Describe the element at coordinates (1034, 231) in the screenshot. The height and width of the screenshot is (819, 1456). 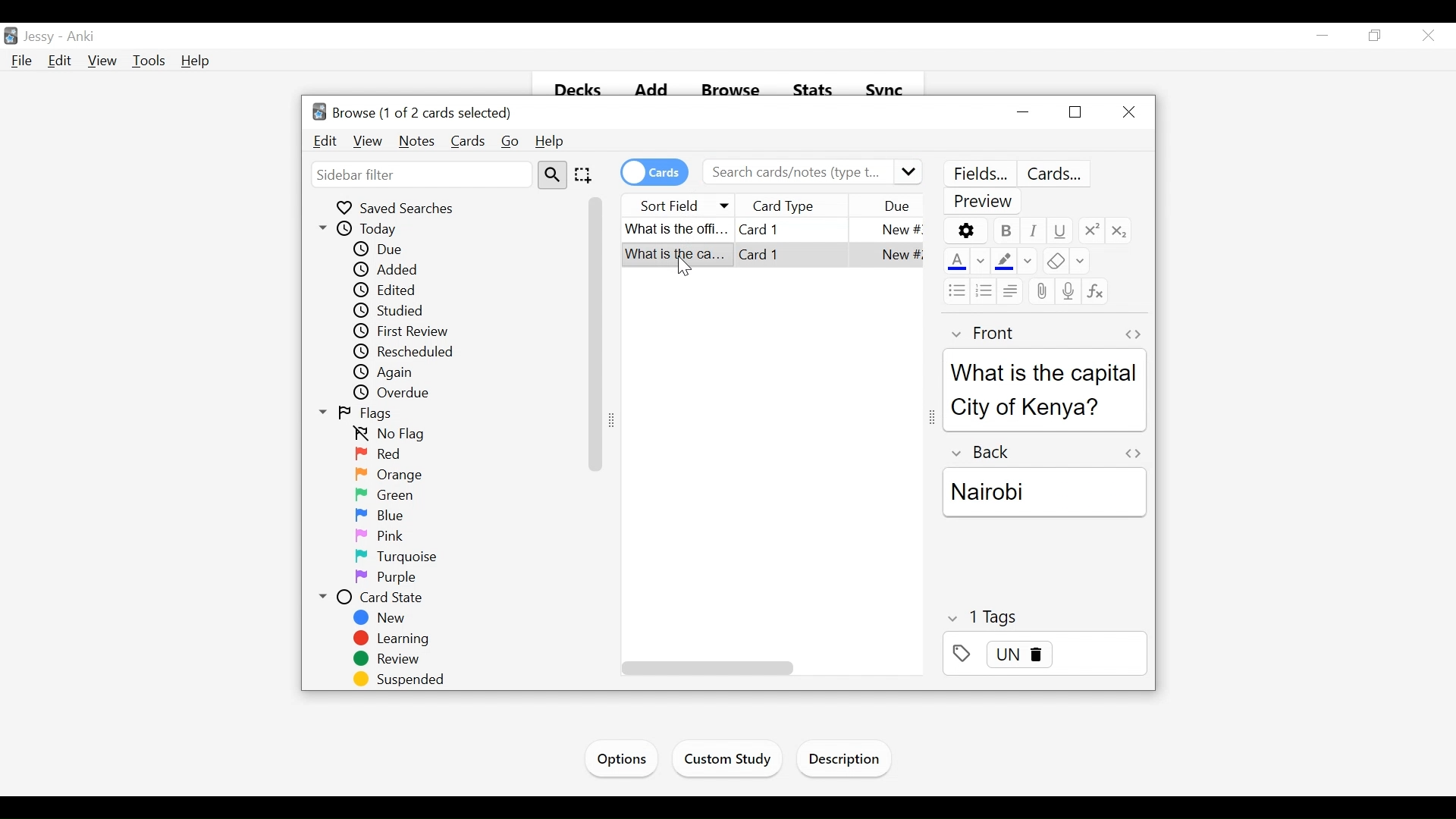
I see `Italics` at that location.